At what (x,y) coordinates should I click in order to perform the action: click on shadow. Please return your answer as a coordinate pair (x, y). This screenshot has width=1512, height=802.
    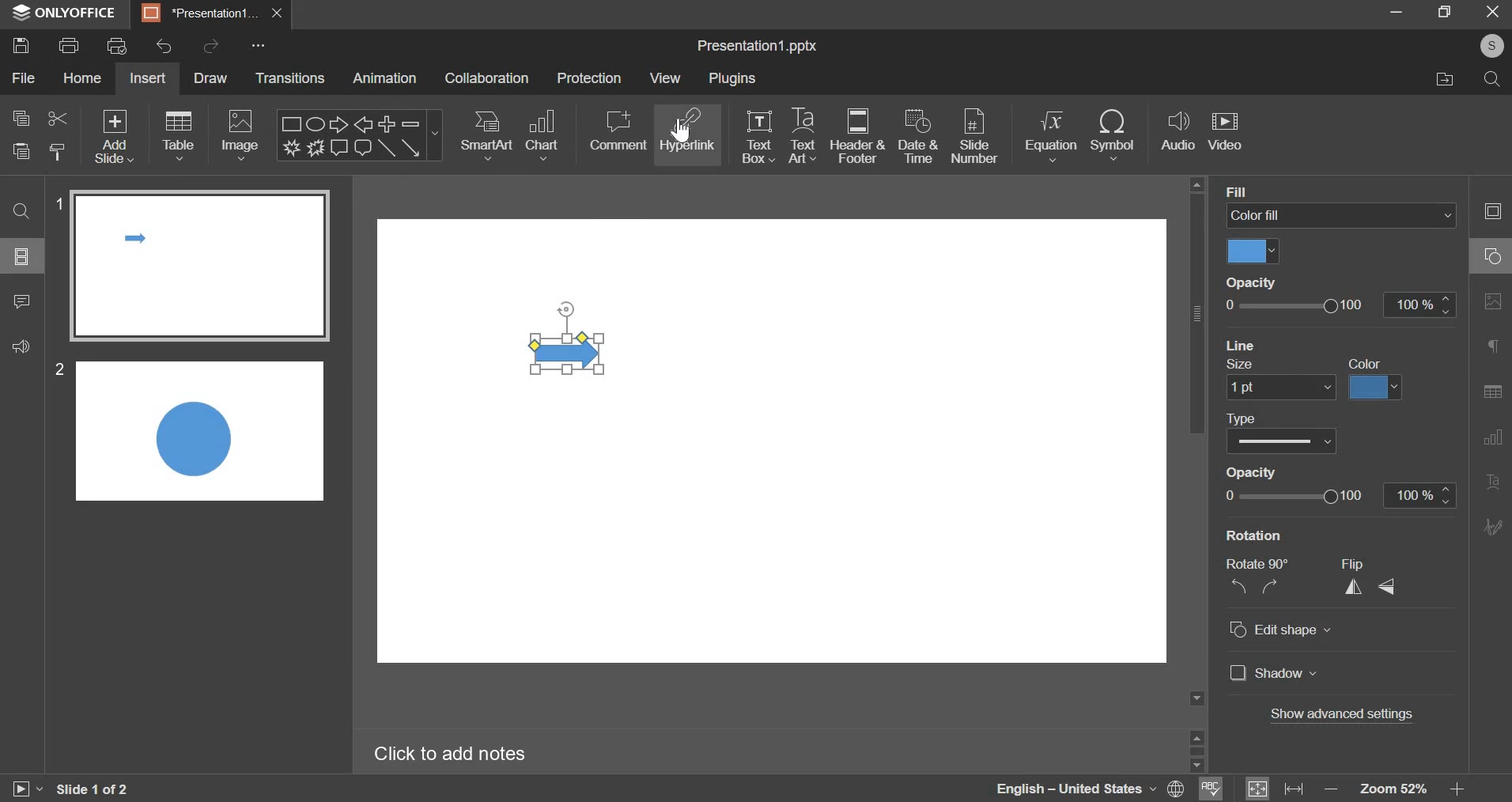
    Looking at the image, I should click on (1277, 674).